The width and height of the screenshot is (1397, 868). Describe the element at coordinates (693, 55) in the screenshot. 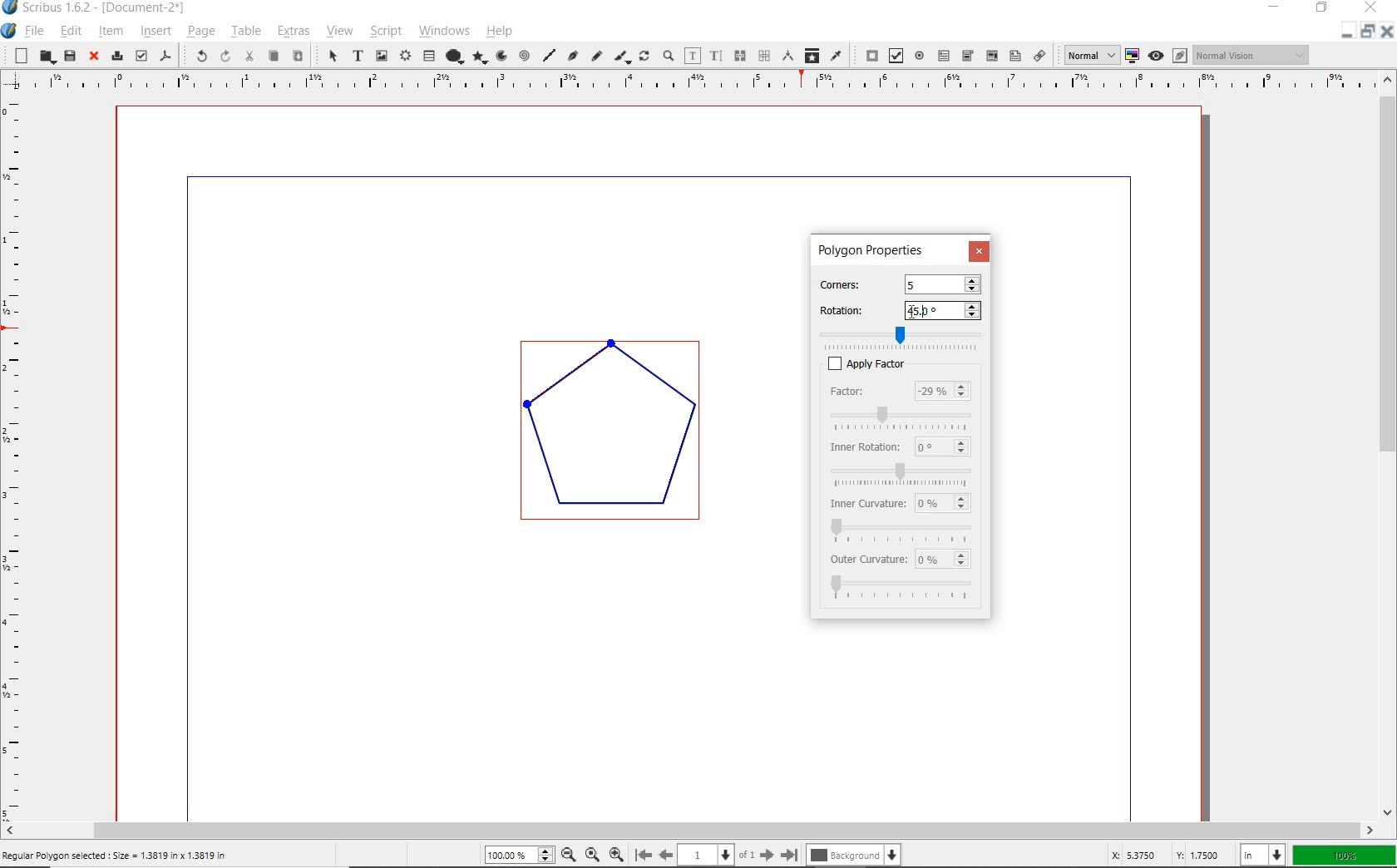

I see `edit contents of frame` at that location.